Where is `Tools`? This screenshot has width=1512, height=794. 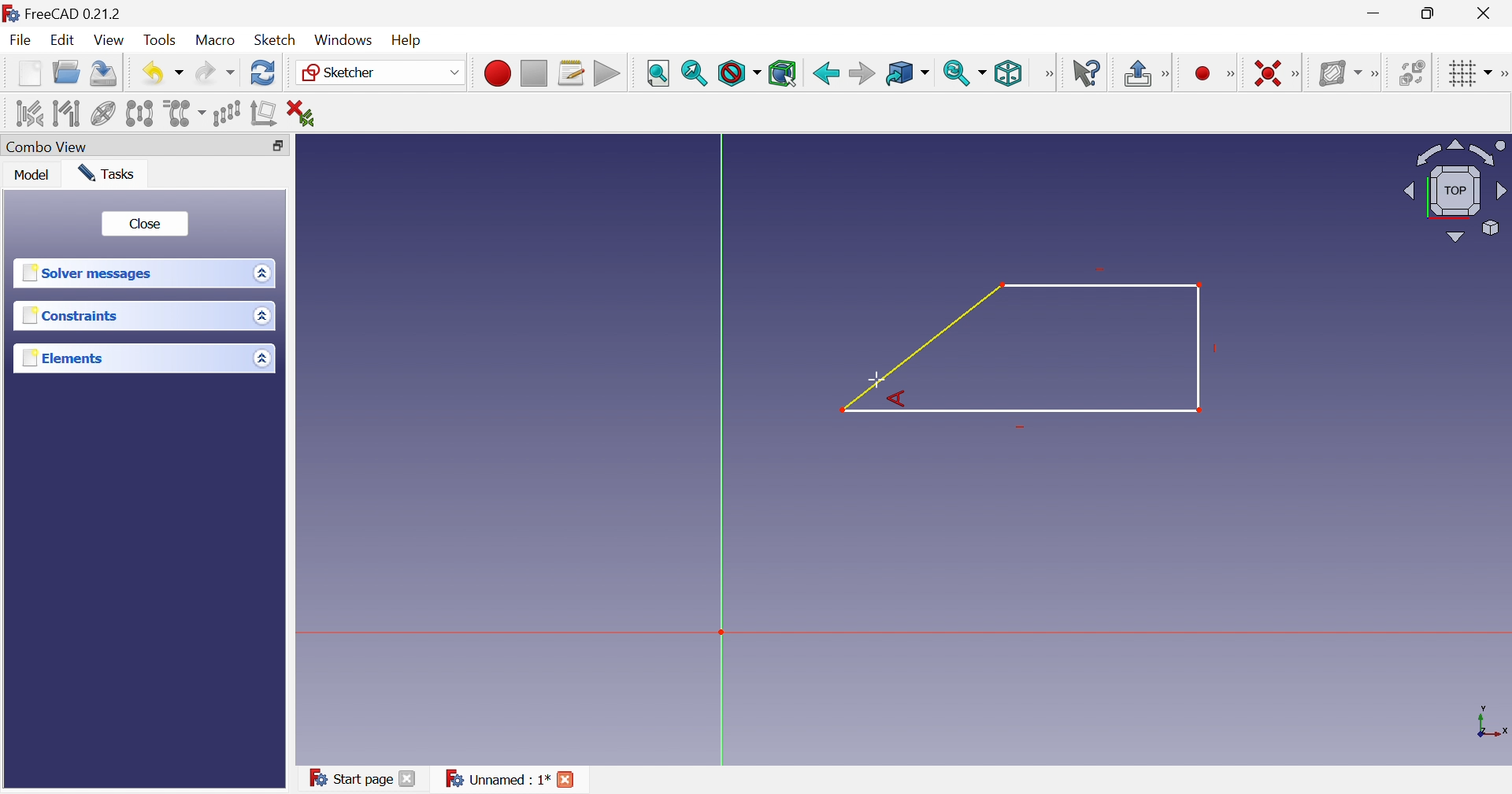
Tools is located at coordinates (162, 39).